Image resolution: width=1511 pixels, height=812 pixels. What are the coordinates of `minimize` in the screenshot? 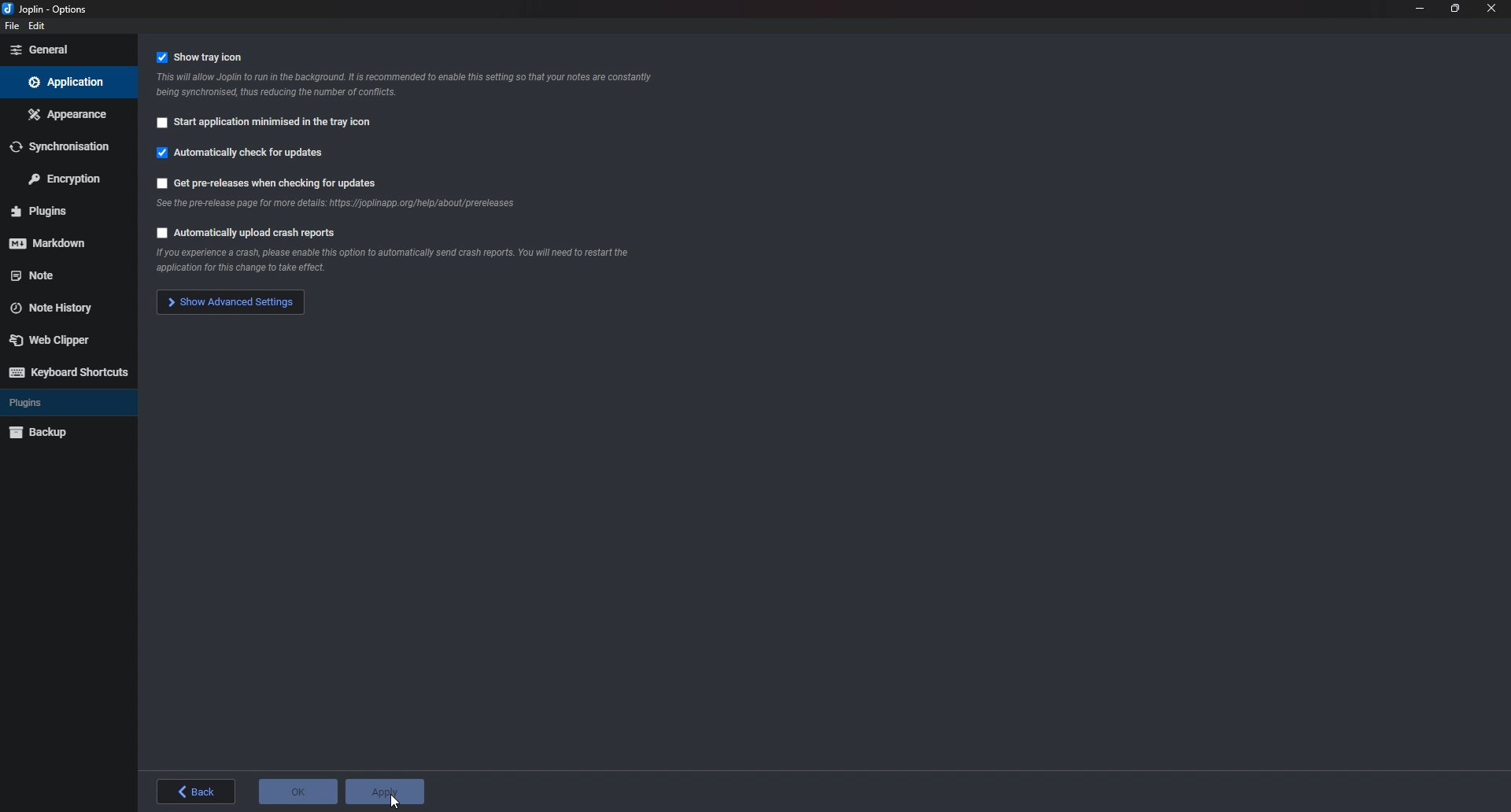 It's located at (1420, 9).